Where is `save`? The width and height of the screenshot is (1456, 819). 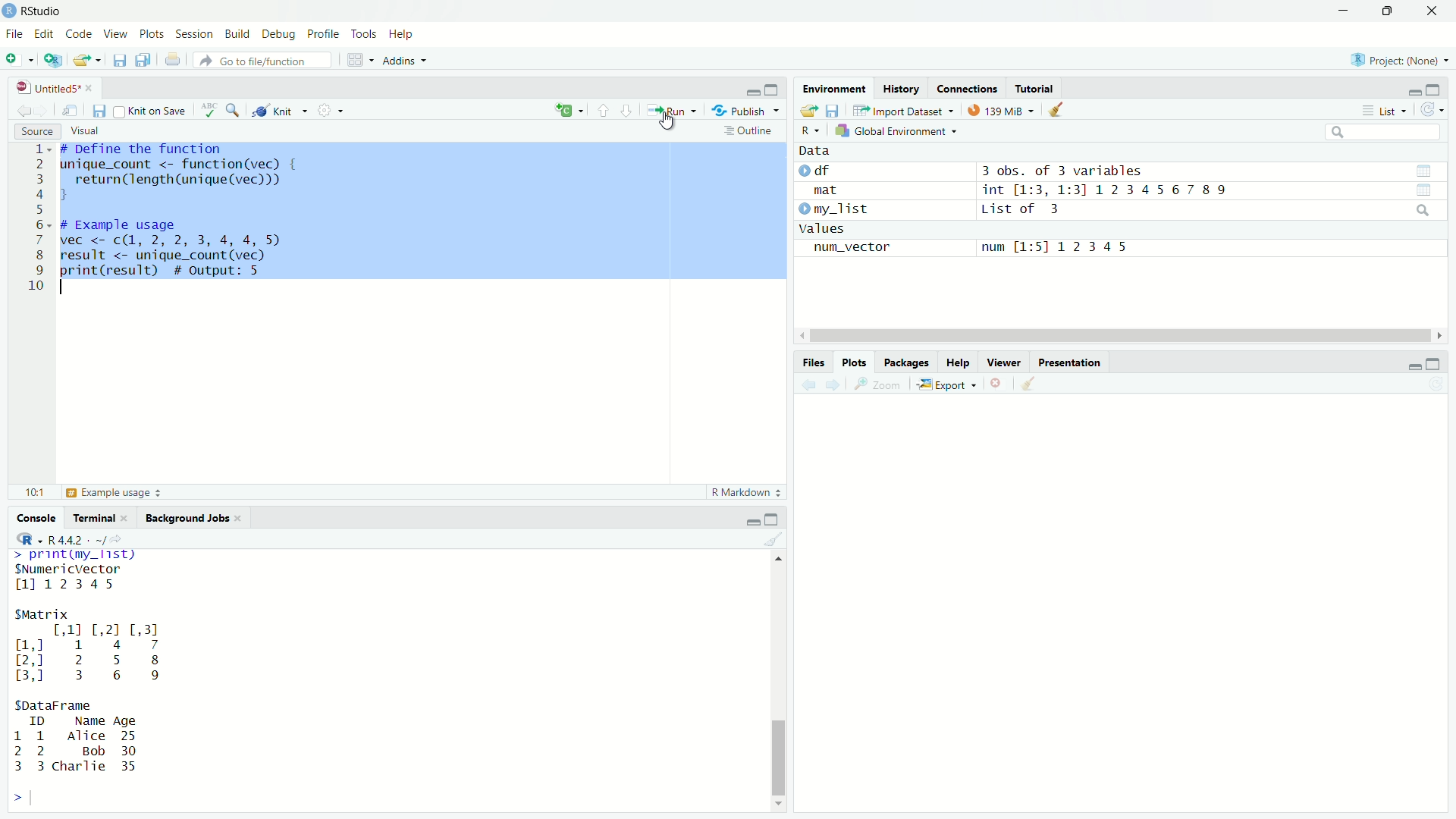
save is located at coordinates (121, 60).